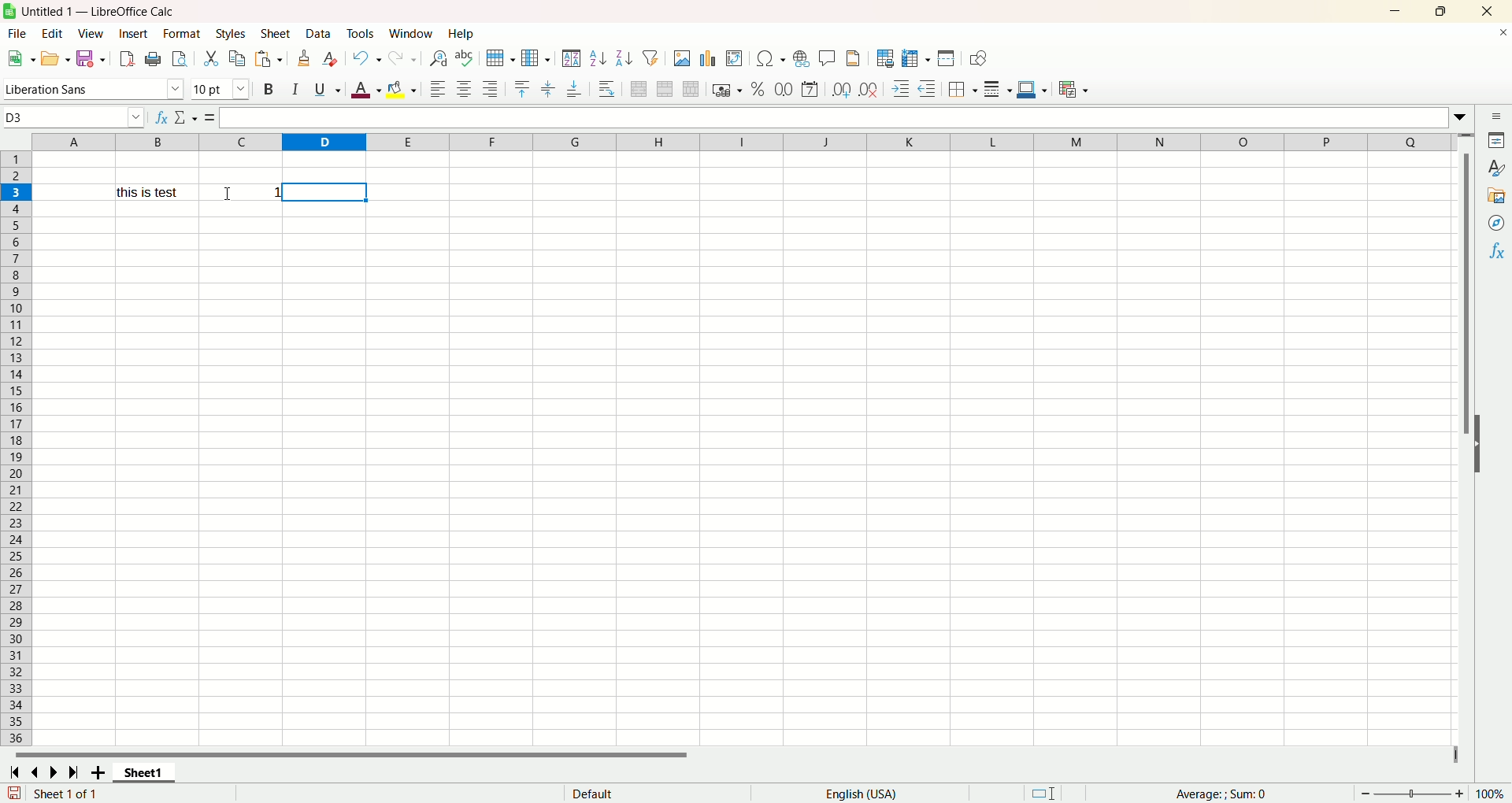  Describe the element at coordinates (593, 793) in the screenshot. I see `page style` at that location.